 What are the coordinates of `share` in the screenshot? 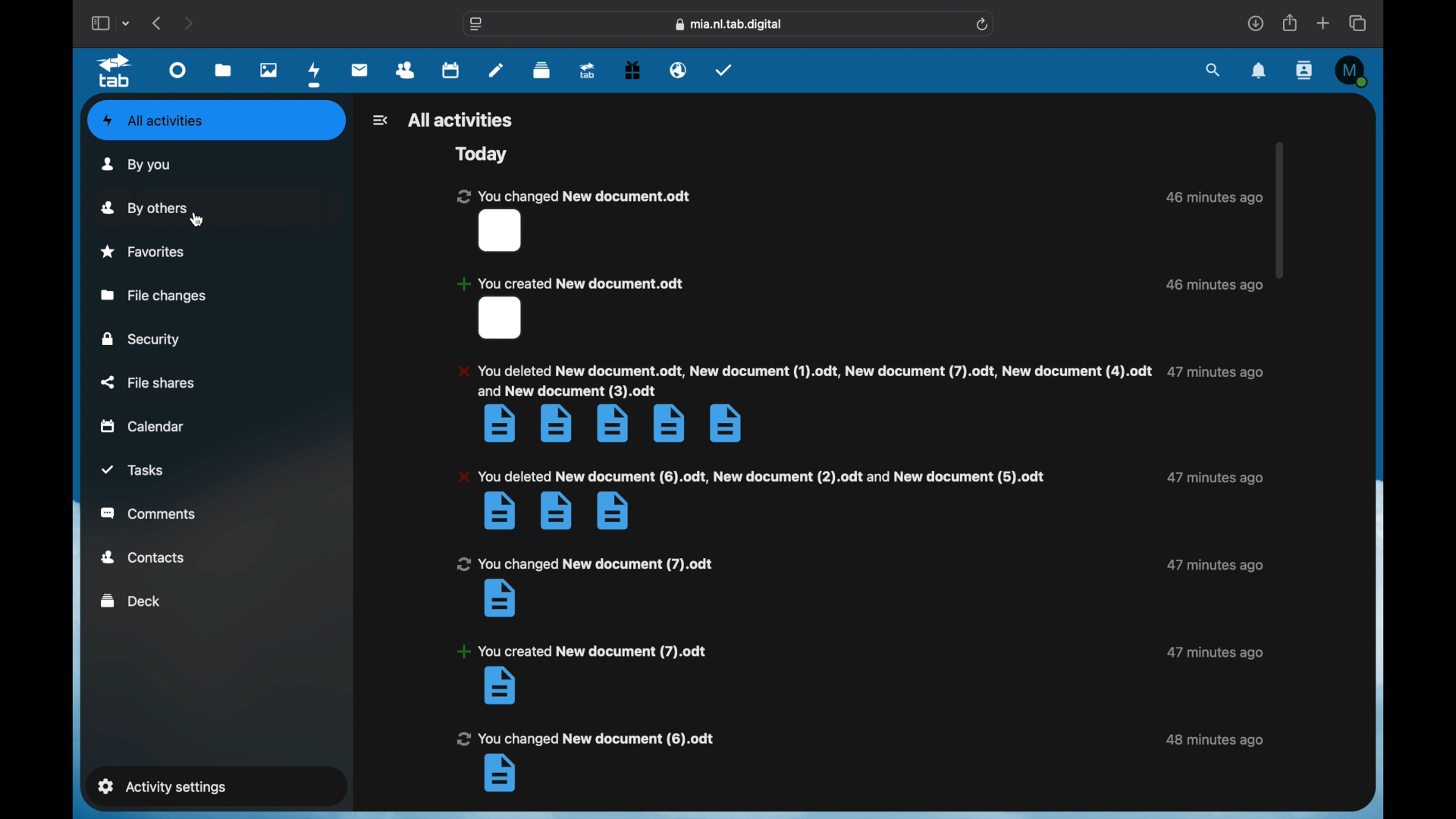 It's located at (1288, 22).